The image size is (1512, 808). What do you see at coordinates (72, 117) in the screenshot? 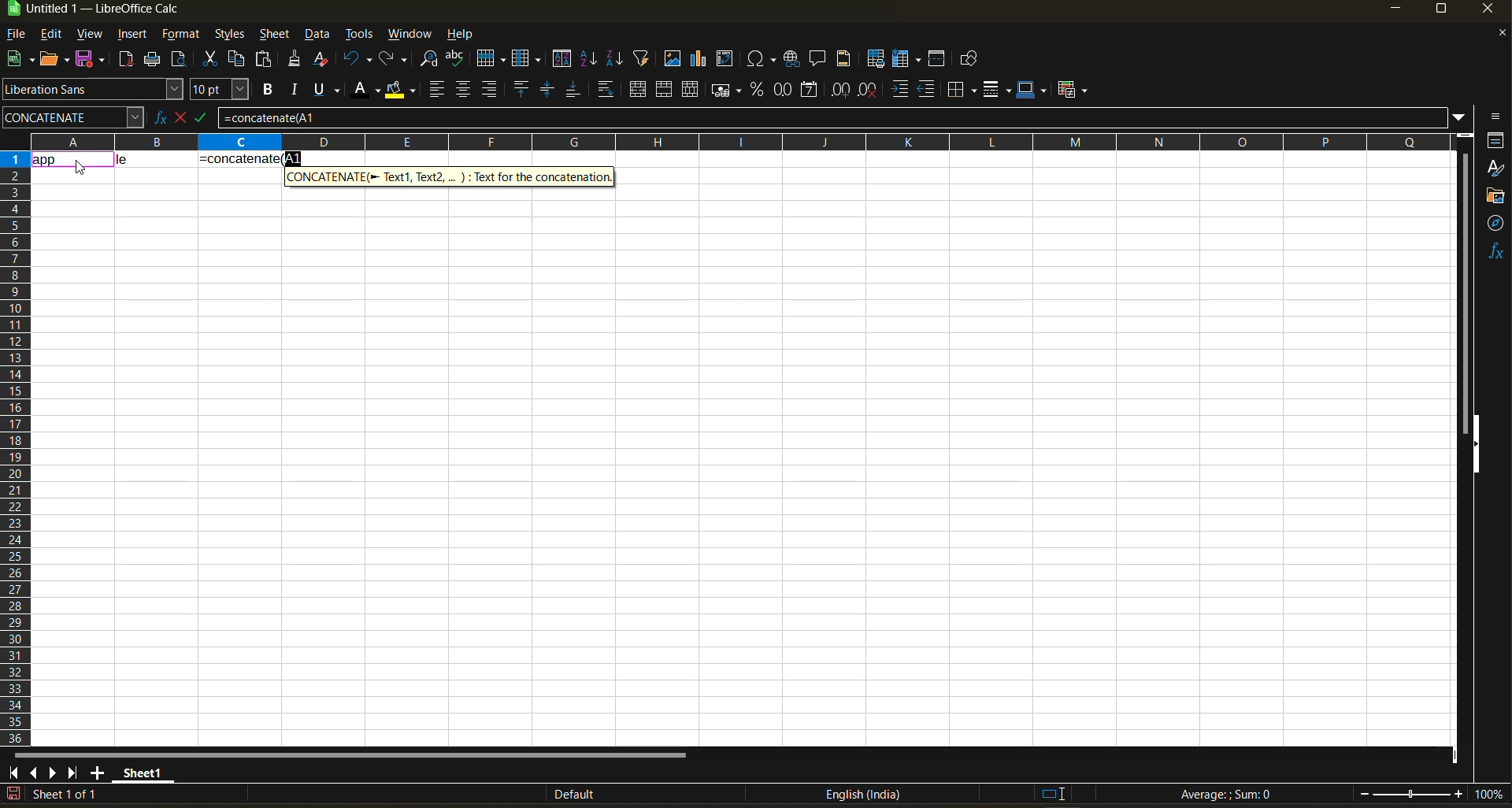
I see `cell address` at bounding box center [72, 117].